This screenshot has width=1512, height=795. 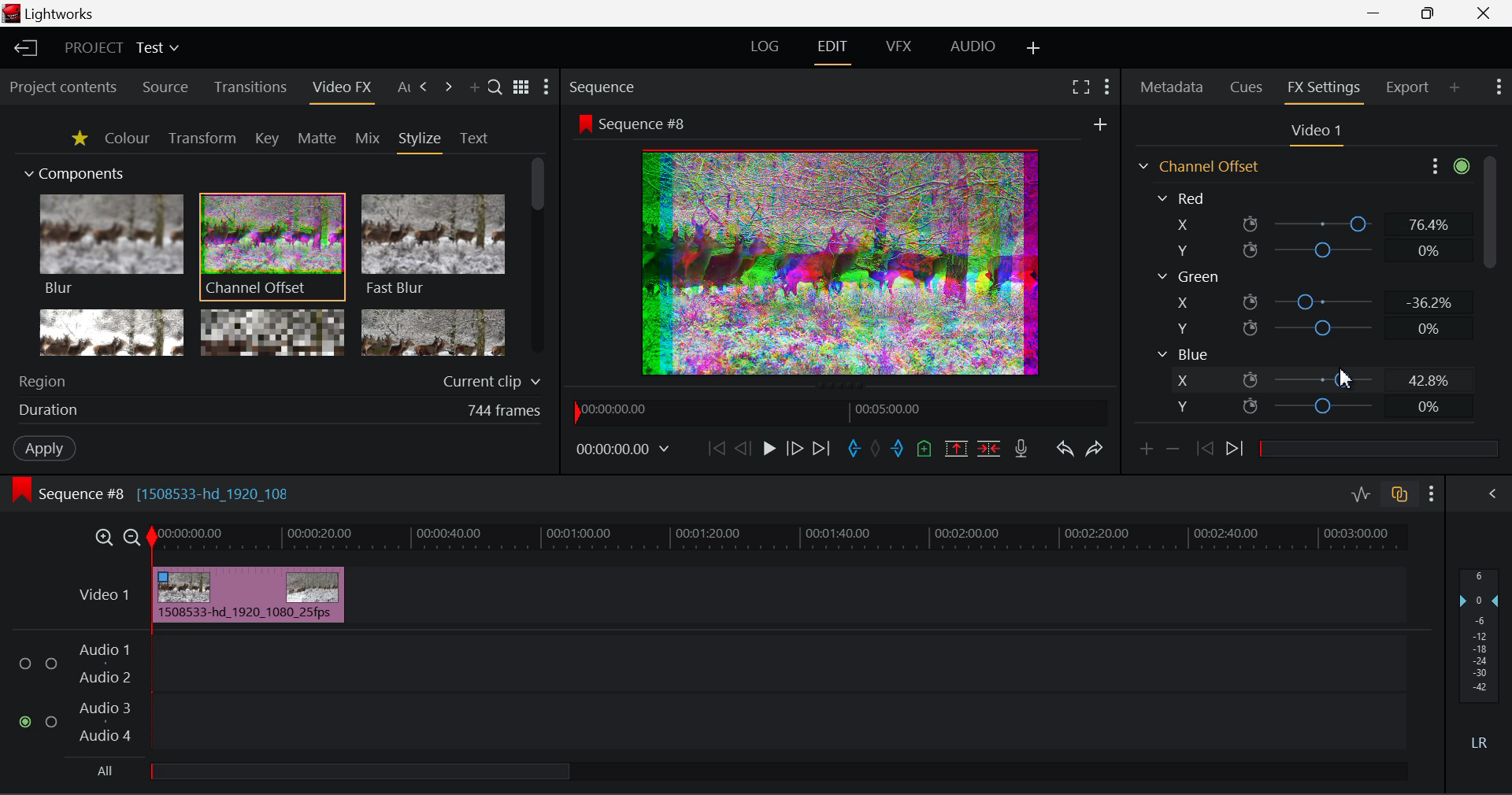 What do you see at coordinates (841, 412) in the screenshot?
I see `Project Timeline Navigator` at bounding box center [841, 412].